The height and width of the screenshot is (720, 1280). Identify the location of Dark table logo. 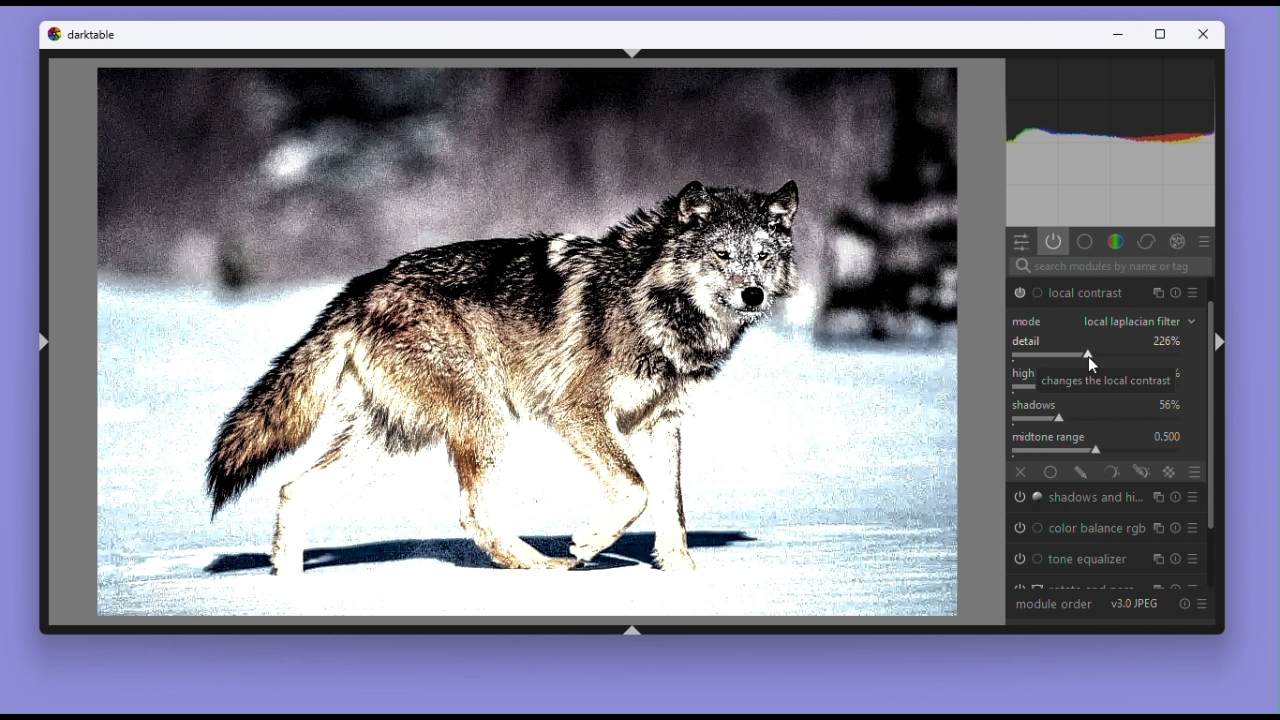
(51, 38).